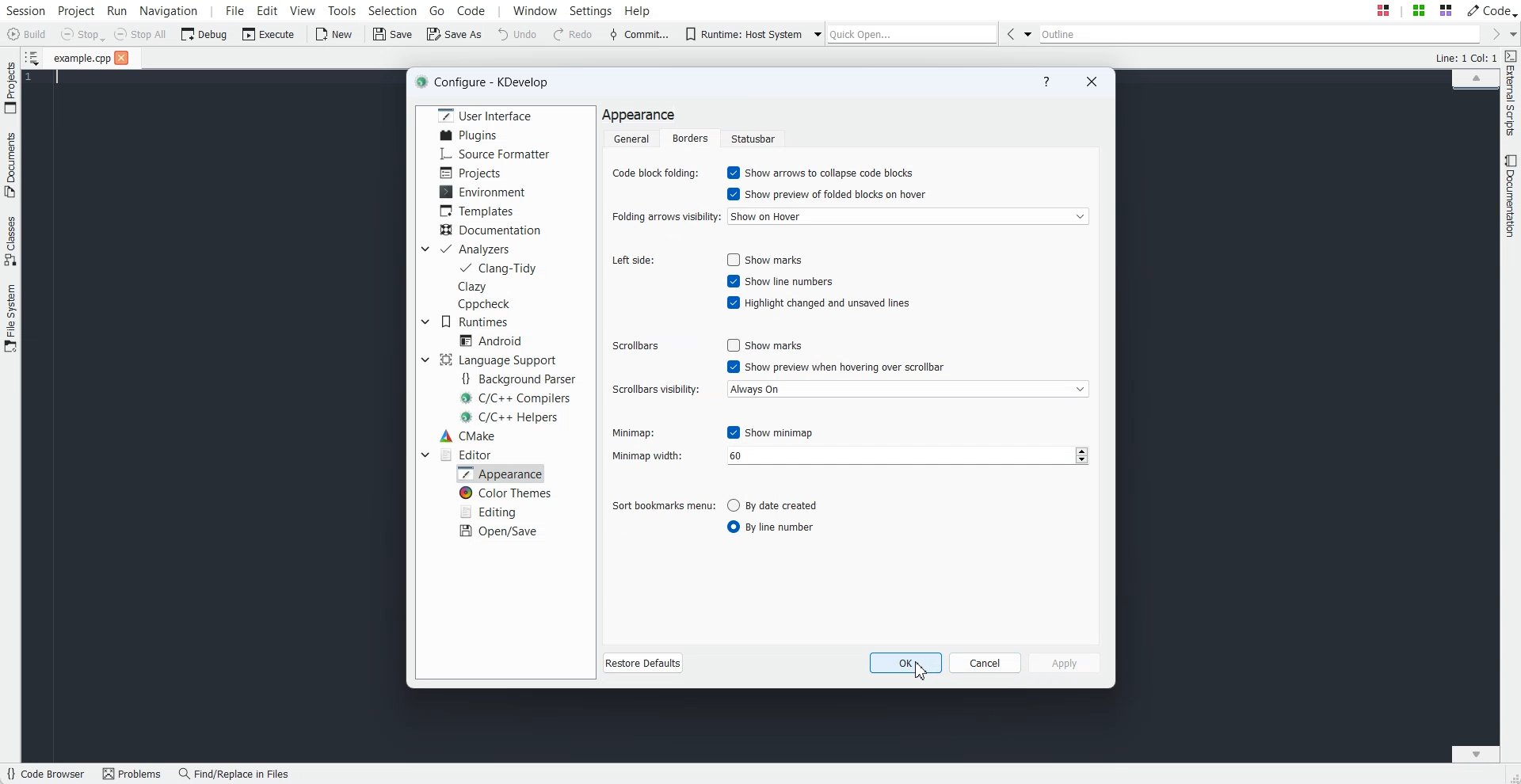  What do you see at coordinates (51, 78) in the screenshot?
I see `Text Cursor` at bounding box center [51, 78].